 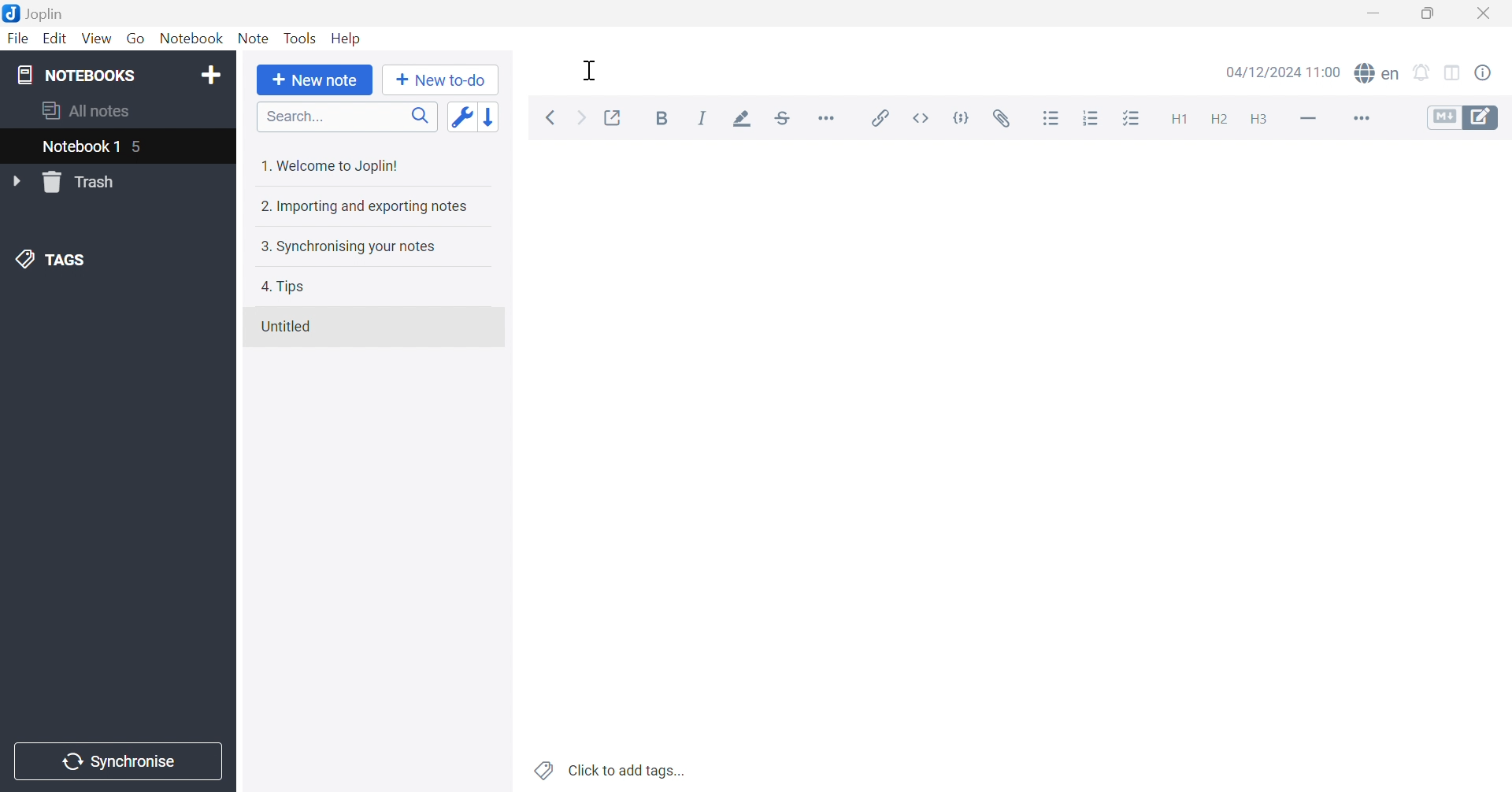 I want to click on TAGS, so click(x=51, y=261).